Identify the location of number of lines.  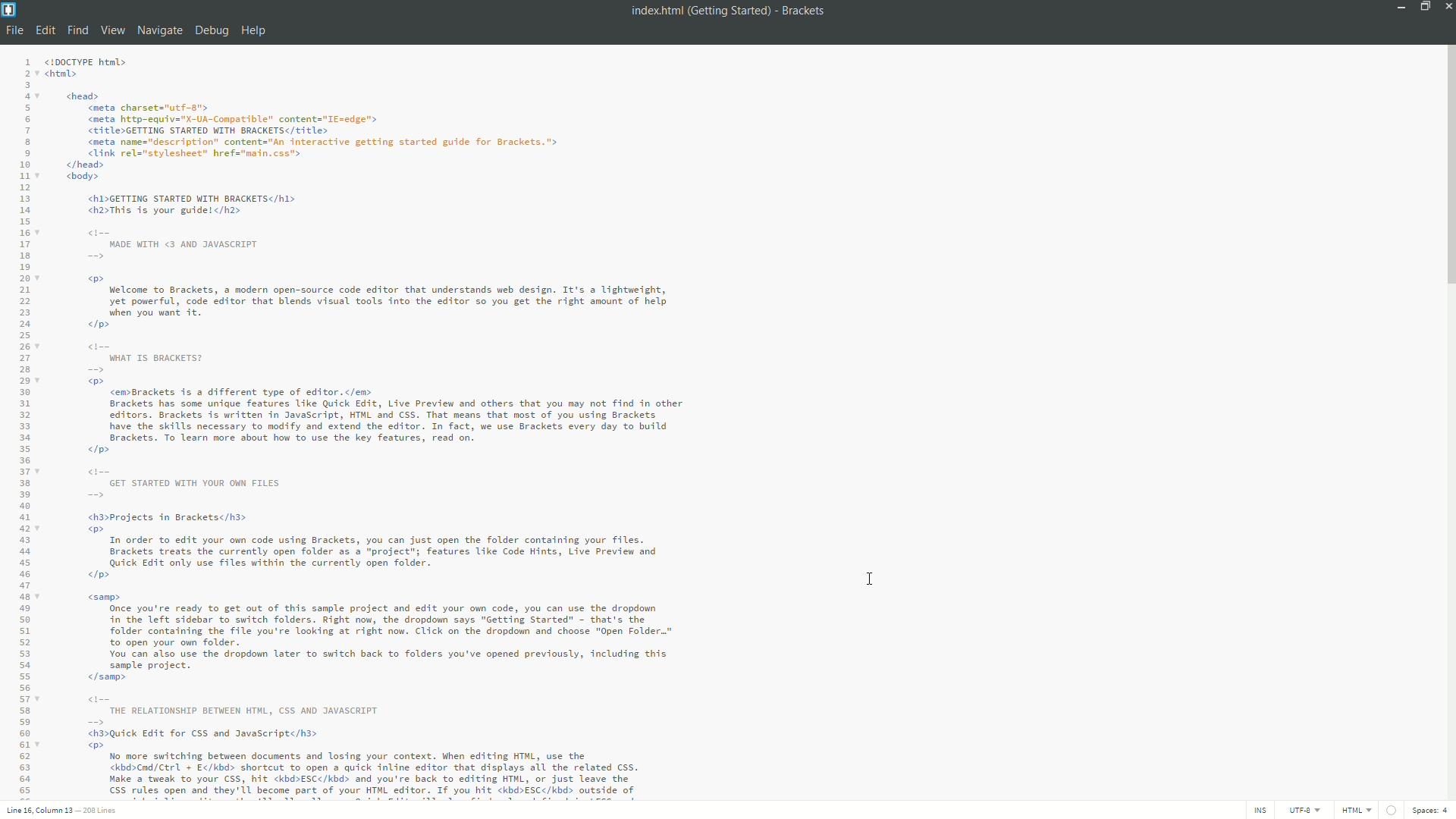
(102, 812).